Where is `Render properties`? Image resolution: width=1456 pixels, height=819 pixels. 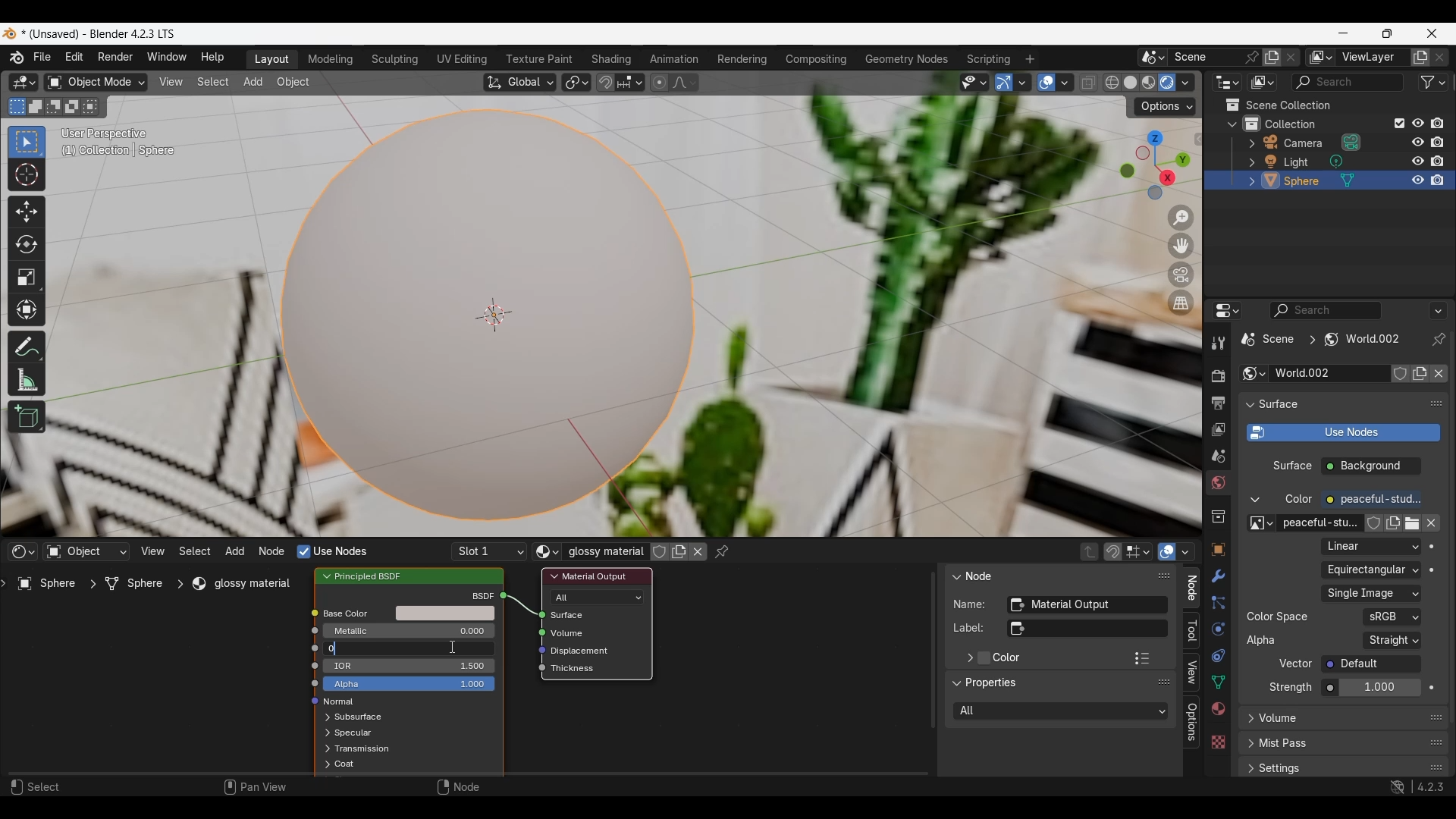
Render properties is located at coordinates (1217, 375).